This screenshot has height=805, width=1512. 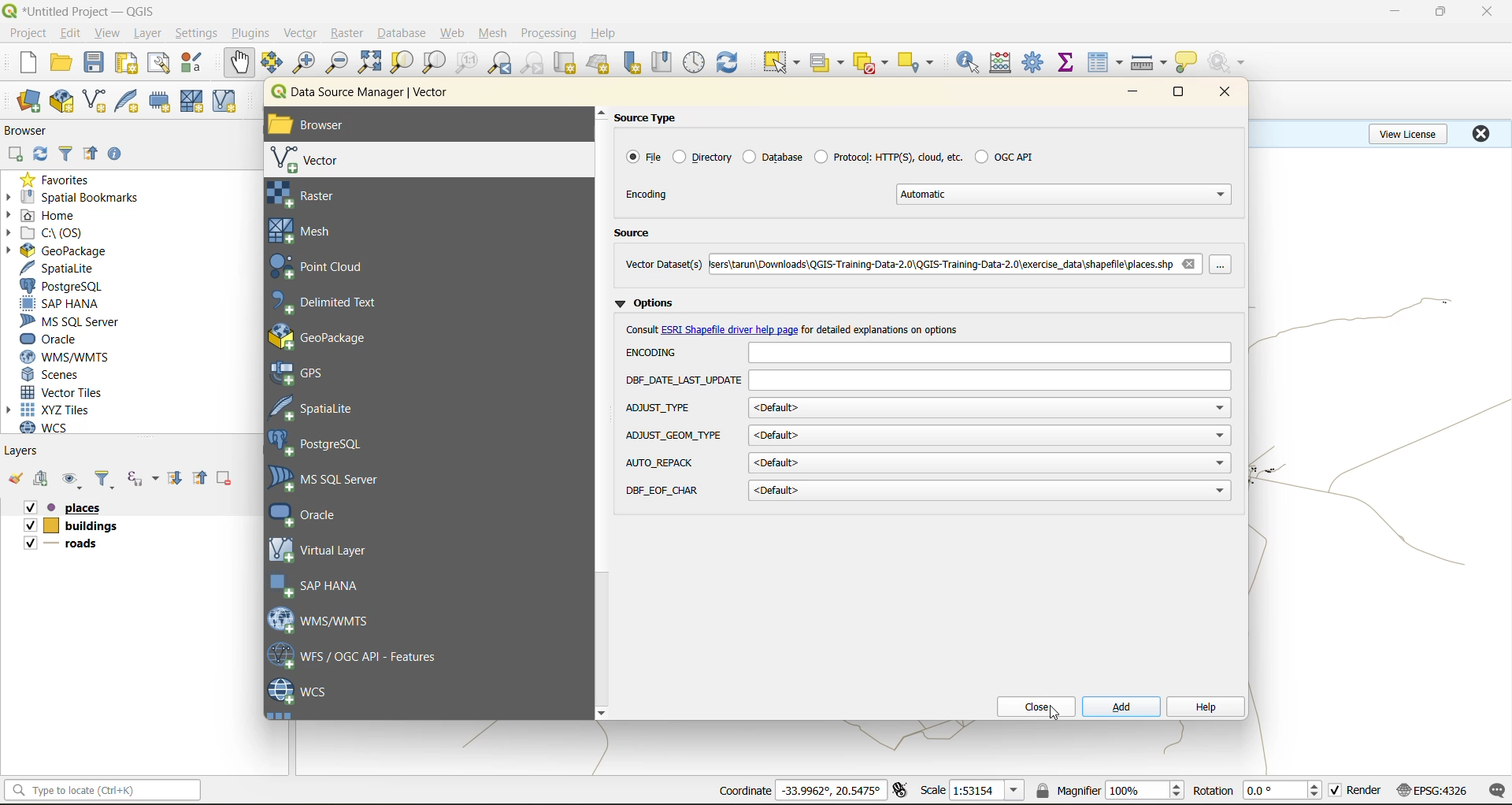 What do you see at coordinates (73, 529) in the screenshot?
I see `layers` at bounding box center [73, 529].